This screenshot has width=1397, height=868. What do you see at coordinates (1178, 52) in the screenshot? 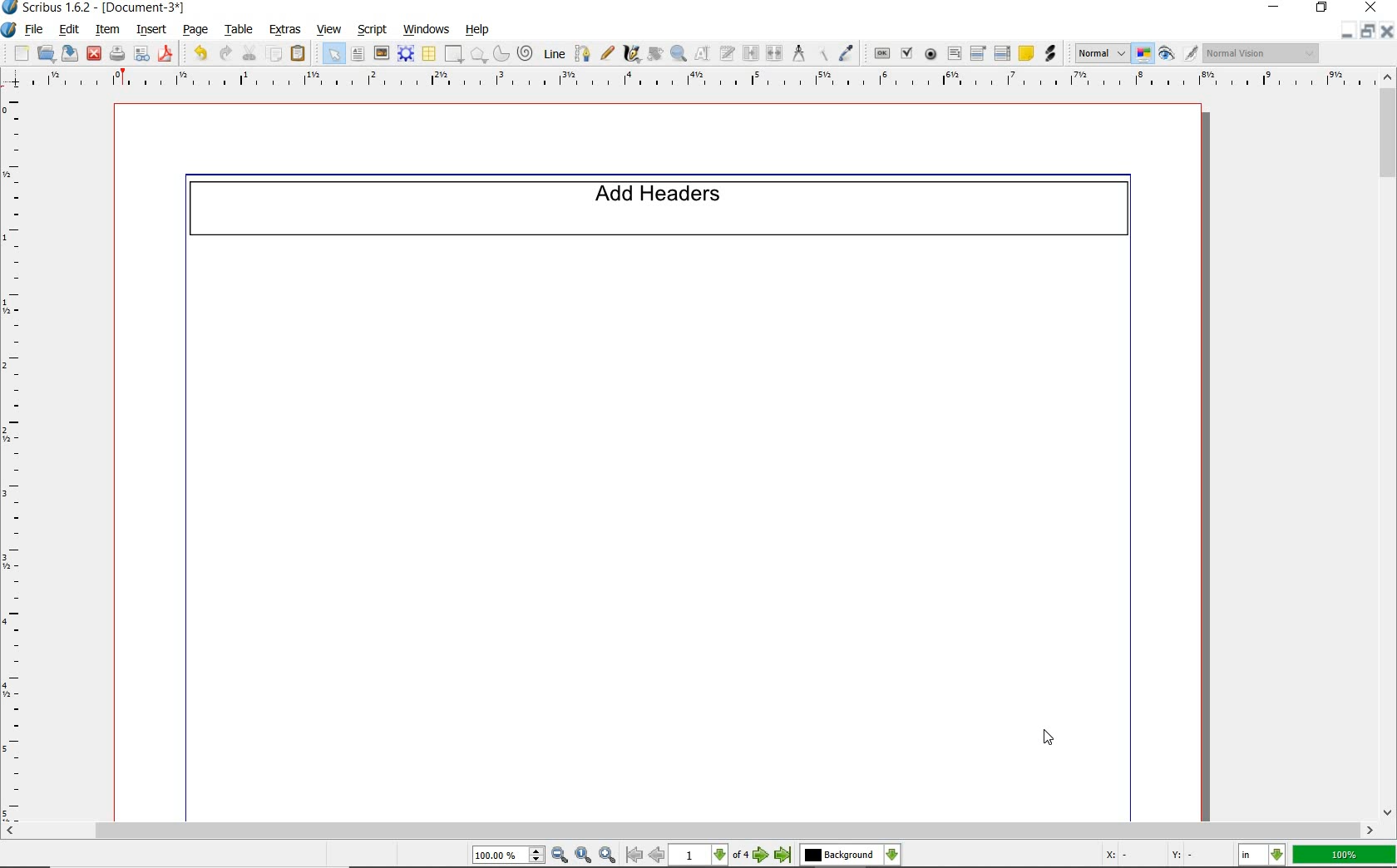
I see `preview mode` at bounding box center [1178, 52].